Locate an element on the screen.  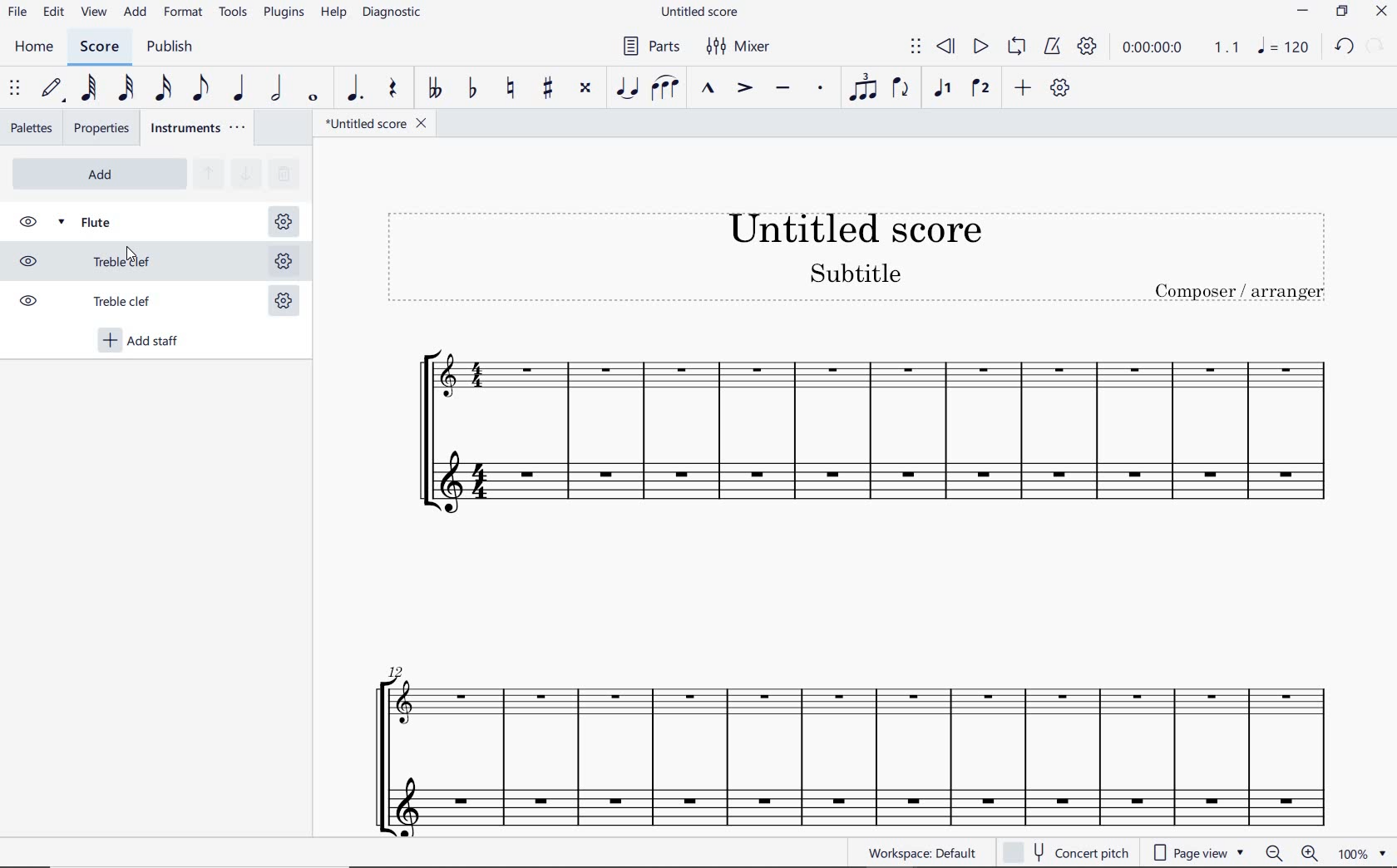
HELP is located at coordinates (334, 15).